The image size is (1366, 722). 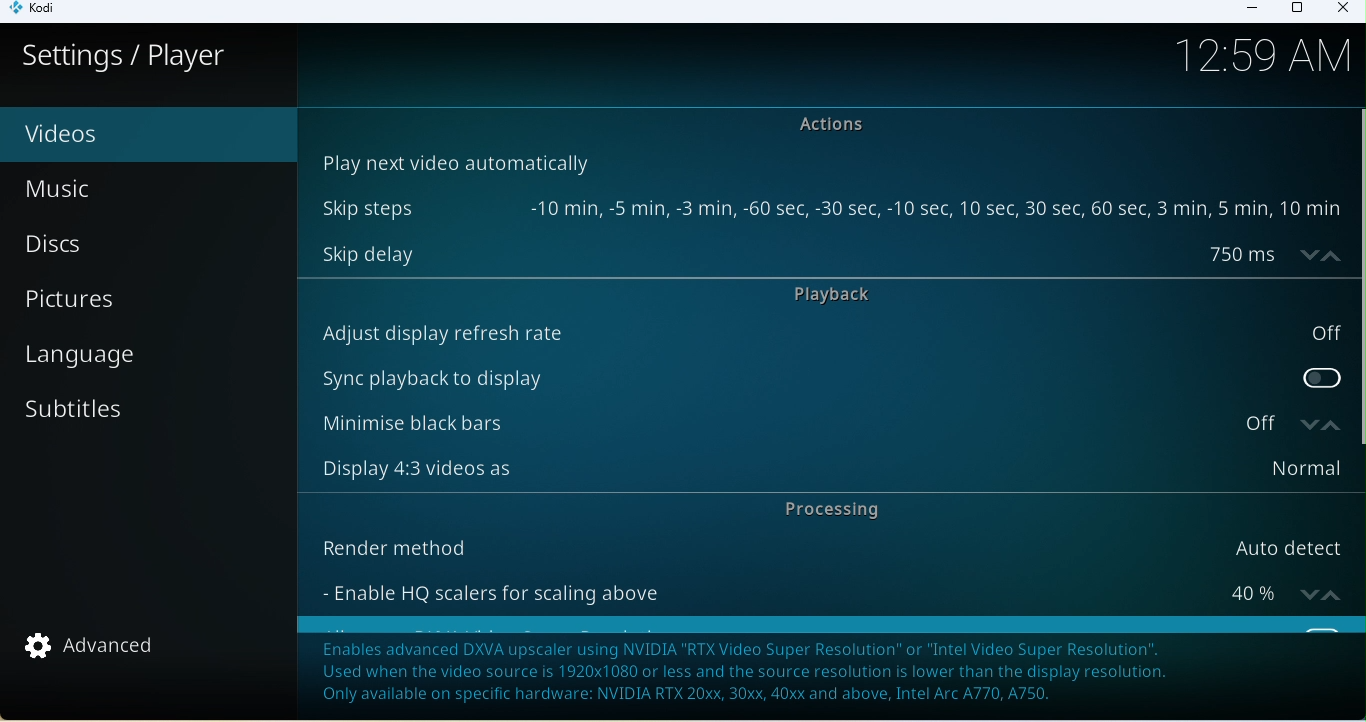 What do you see at coordinates (1357, 277) in the screenshot?
I see `vertical scroll bar` at bounding box center [1357, 277].